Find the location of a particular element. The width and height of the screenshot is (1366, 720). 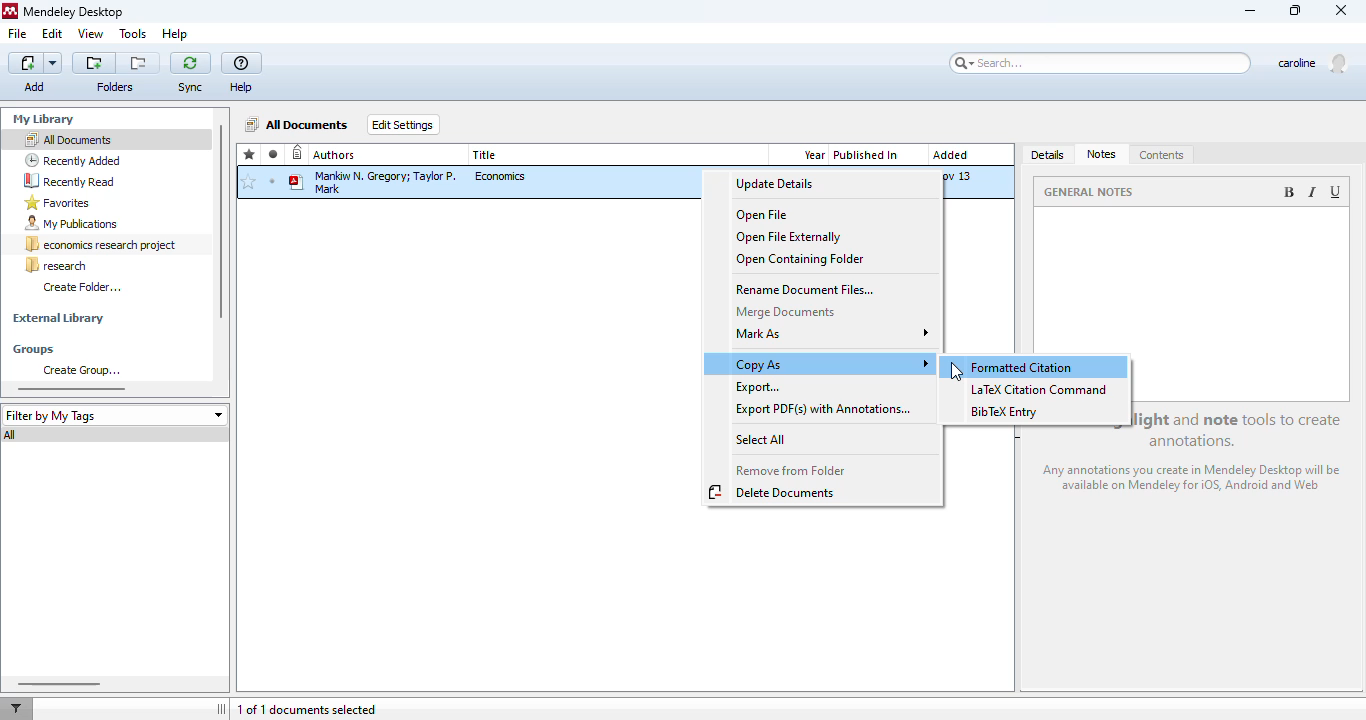

open file externally is located at coordinates (791, 237).